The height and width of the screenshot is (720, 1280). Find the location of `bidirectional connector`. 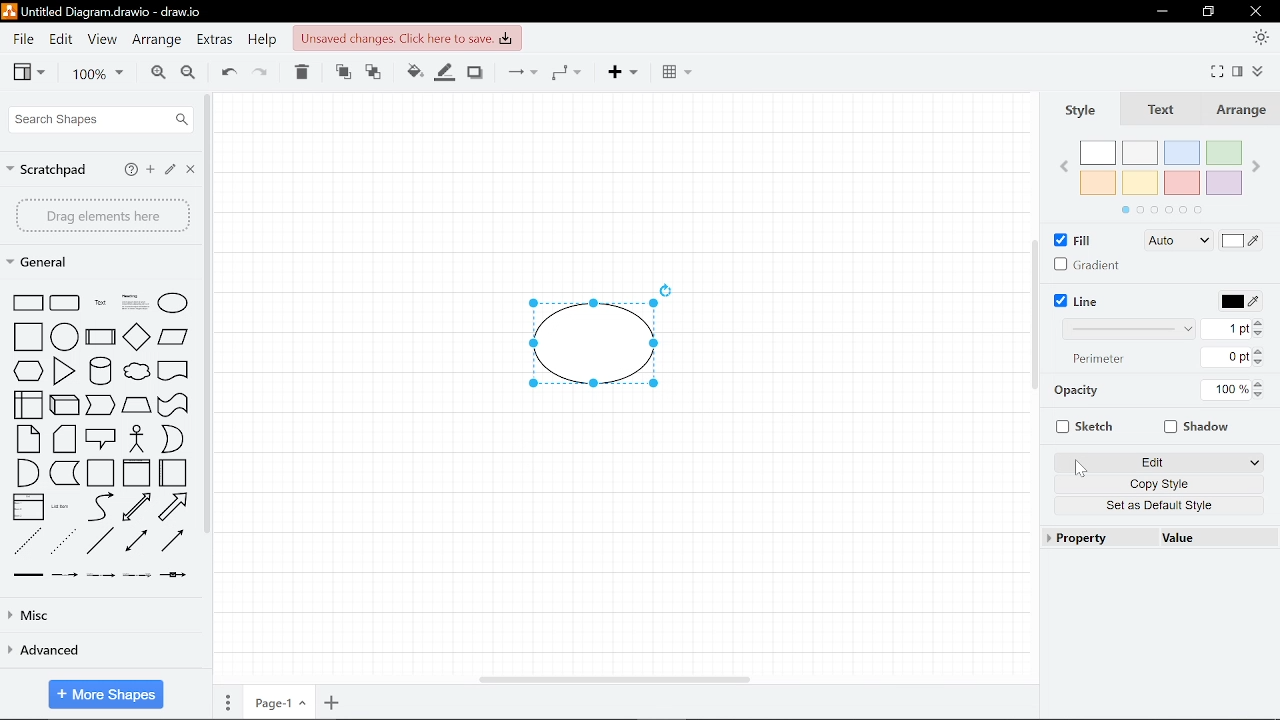

bidirectional connector is located at coordinates (137, 543).